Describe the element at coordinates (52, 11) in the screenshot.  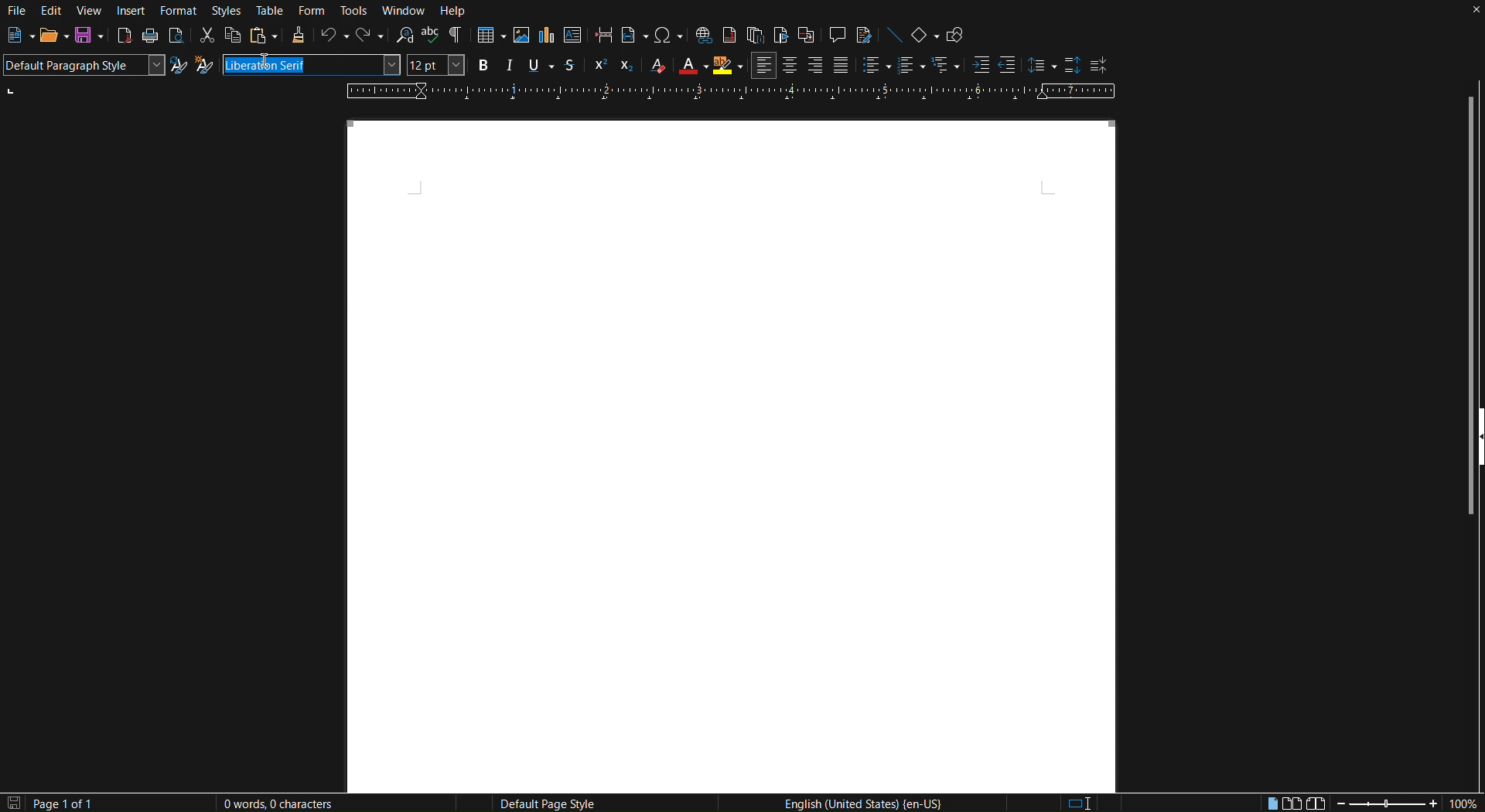
I see `Edit ` at that location.